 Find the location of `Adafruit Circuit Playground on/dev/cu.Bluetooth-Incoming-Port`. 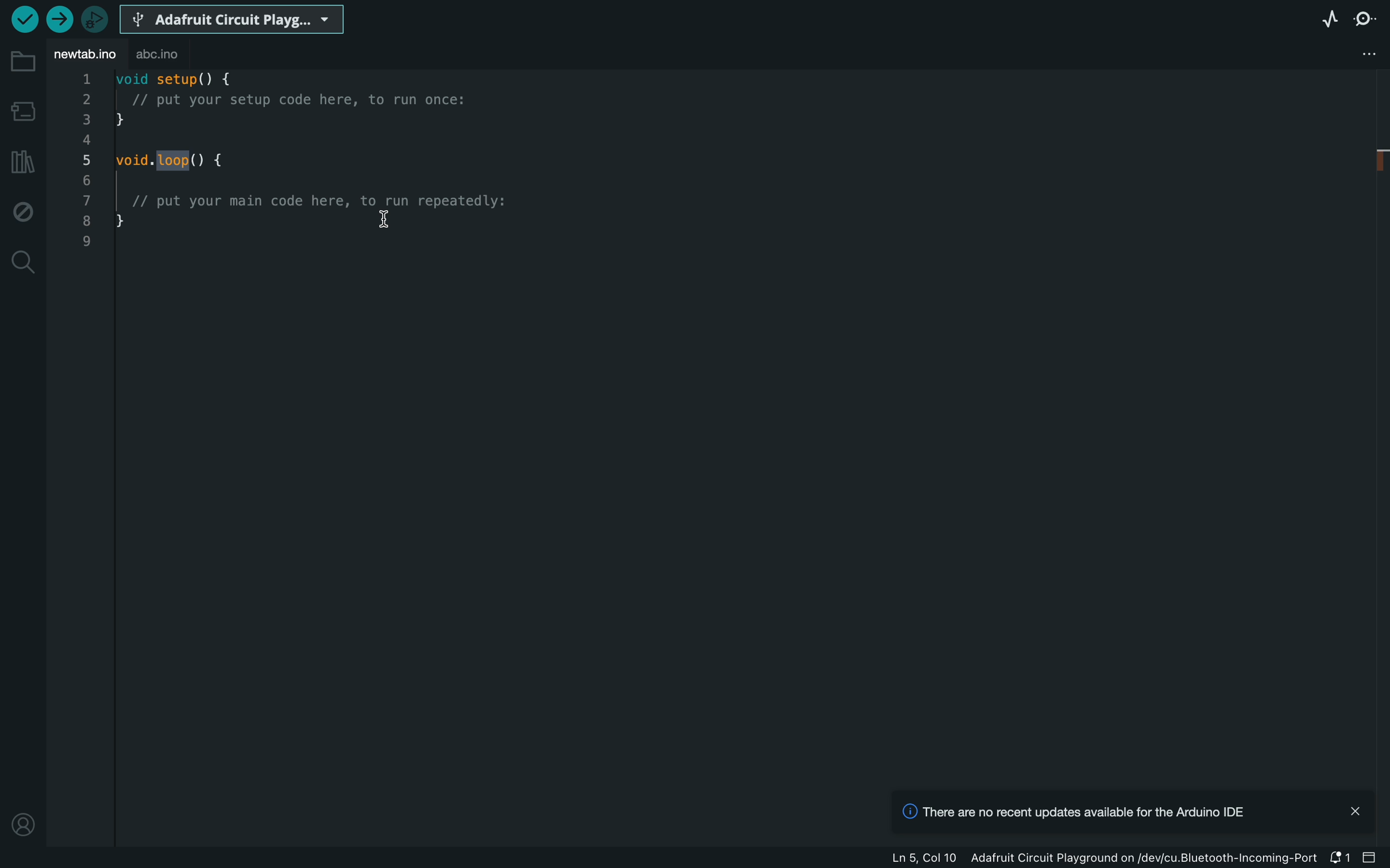

Adafruit Circuit Playground on/dev/cu.Bluetooth-Incoming-Port is located at coordinates (1147, 858).